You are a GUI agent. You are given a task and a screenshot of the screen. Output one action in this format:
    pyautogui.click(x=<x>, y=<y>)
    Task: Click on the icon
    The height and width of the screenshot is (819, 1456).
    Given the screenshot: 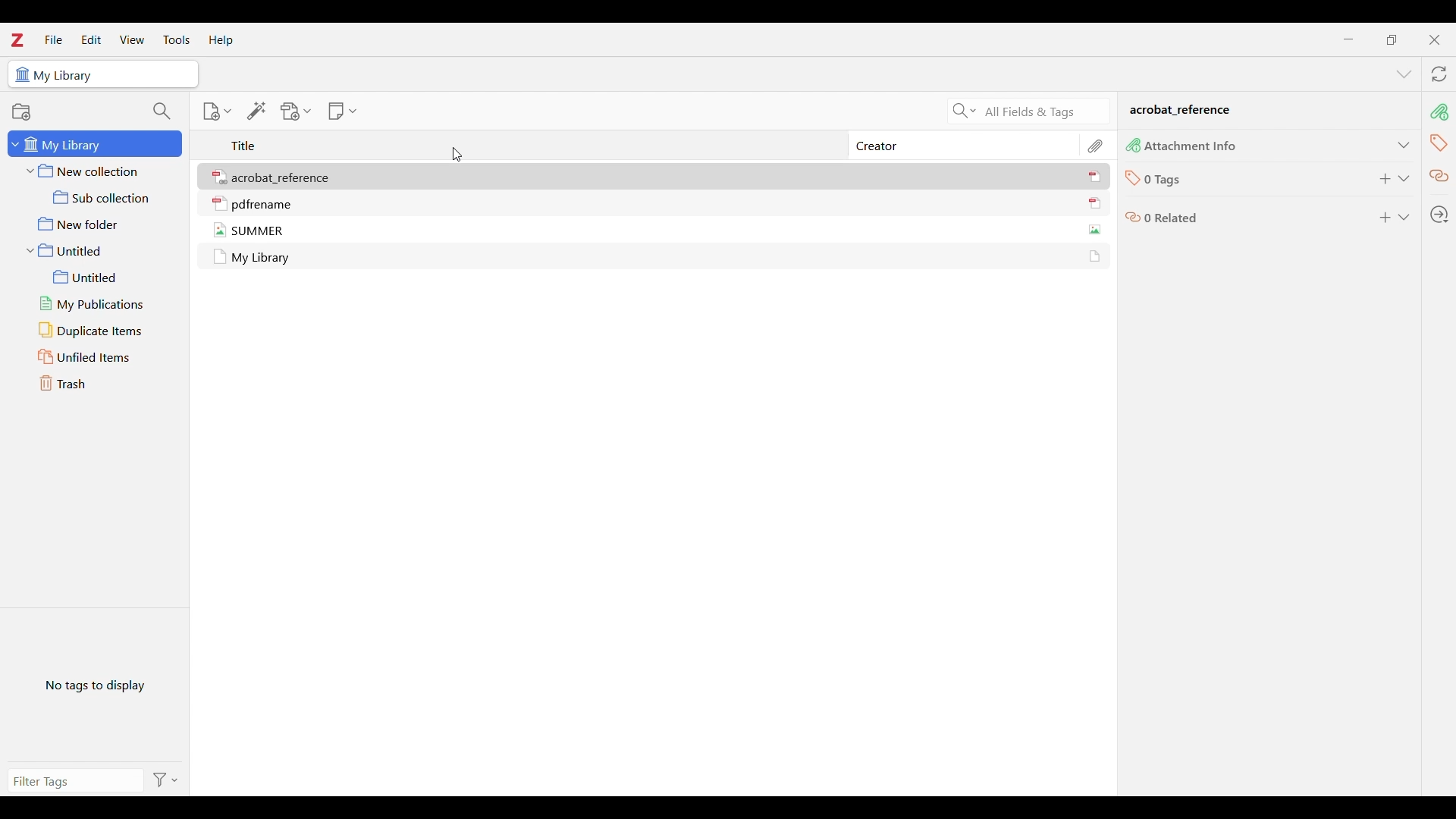 What is the action you would take?
    pyautogui.click(x=1094, y=203)
    